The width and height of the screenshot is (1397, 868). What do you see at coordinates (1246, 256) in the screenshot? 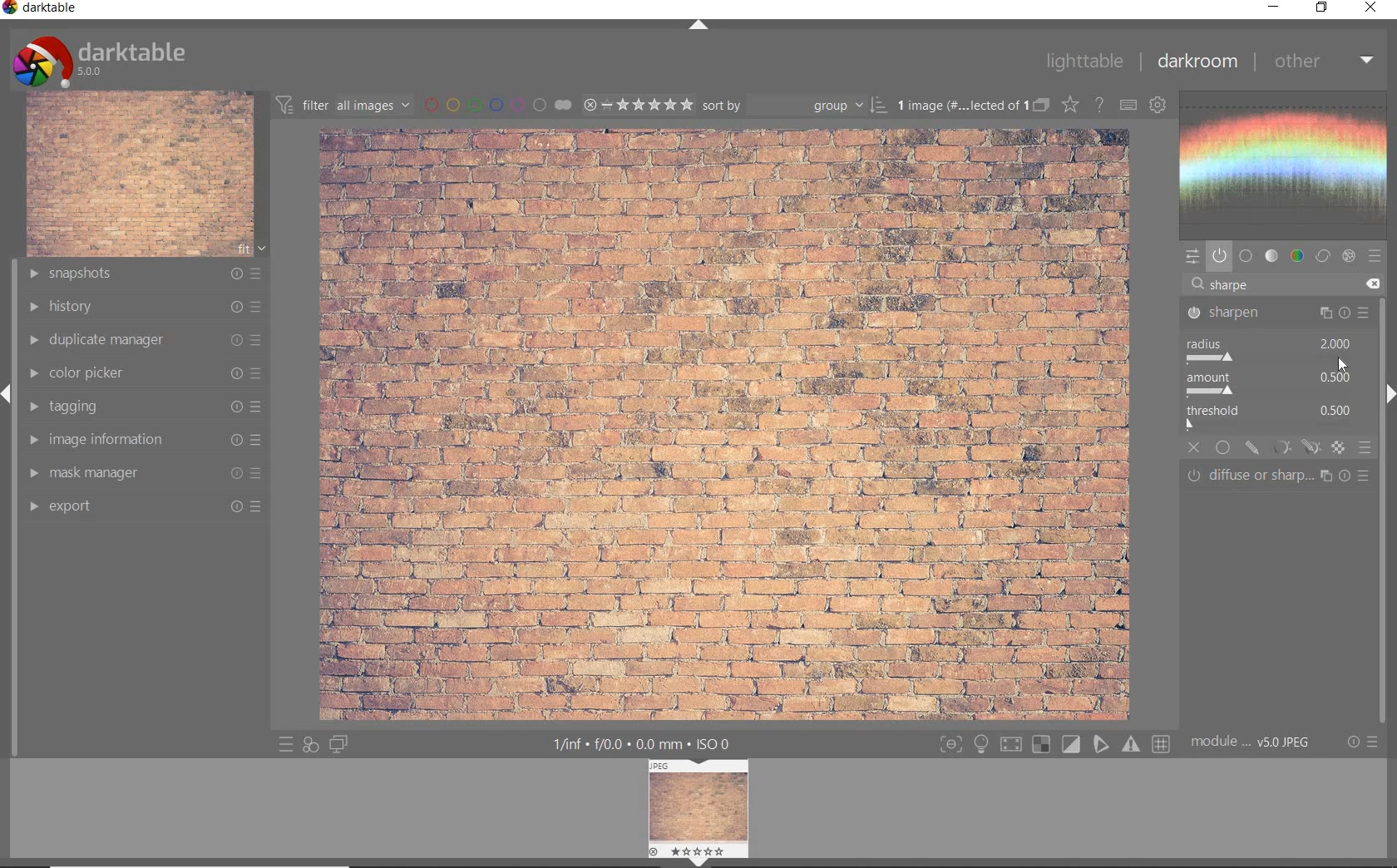
I see `base` at bounding box center [1246, 256].